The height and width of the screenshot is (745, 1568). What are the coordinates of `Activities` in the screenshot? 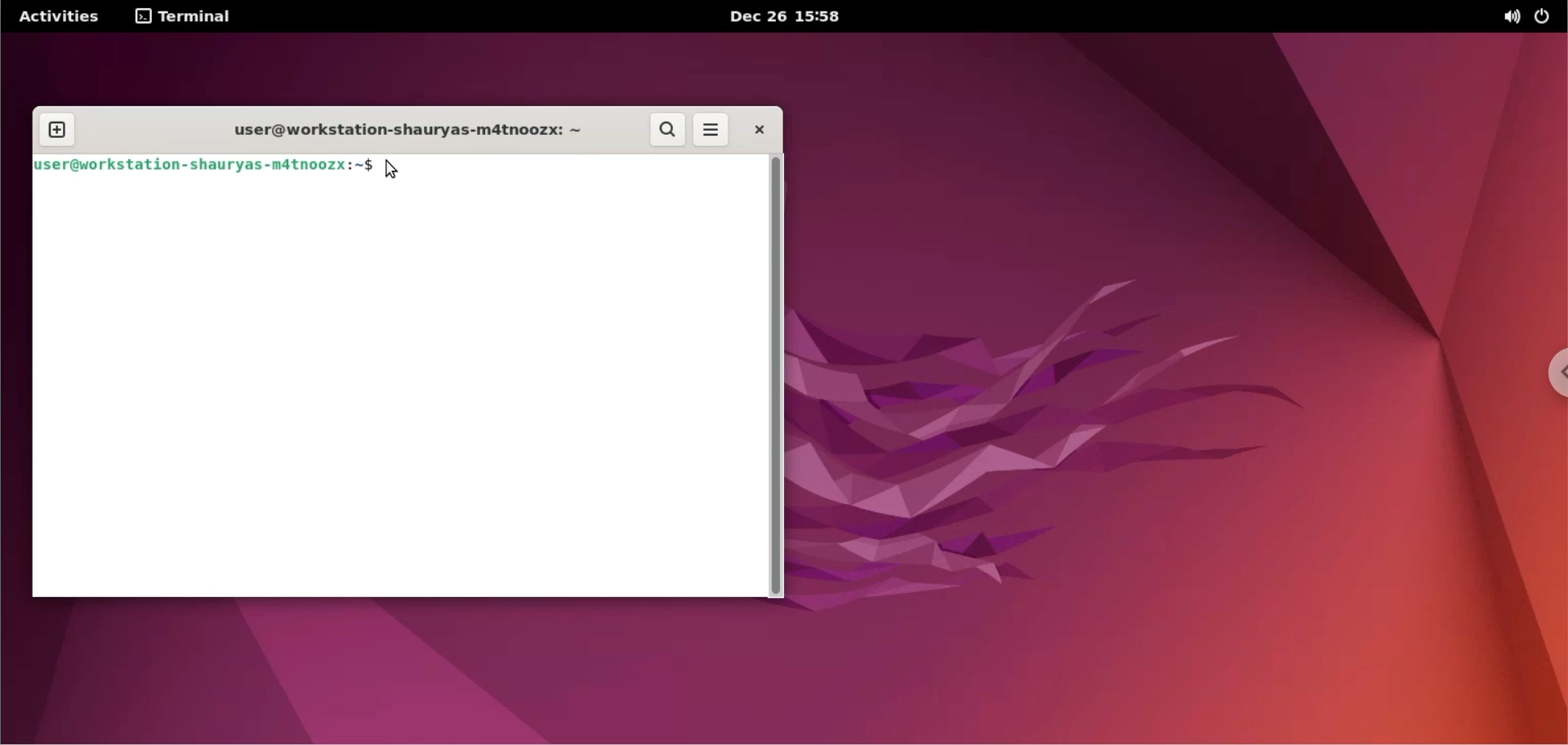 It's located at (57, 17).